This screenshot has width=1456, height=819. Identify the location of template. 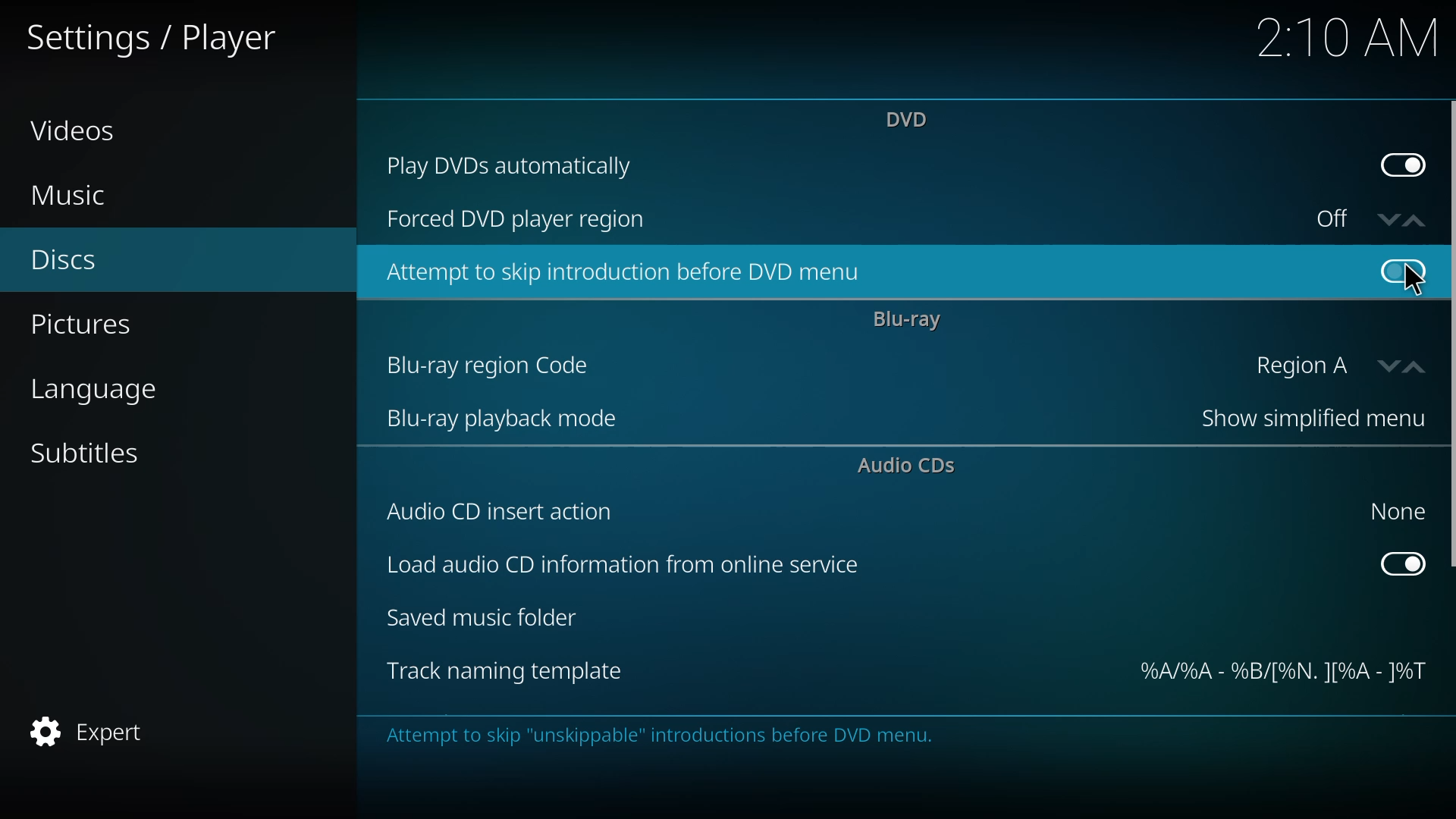
(1282, 670).